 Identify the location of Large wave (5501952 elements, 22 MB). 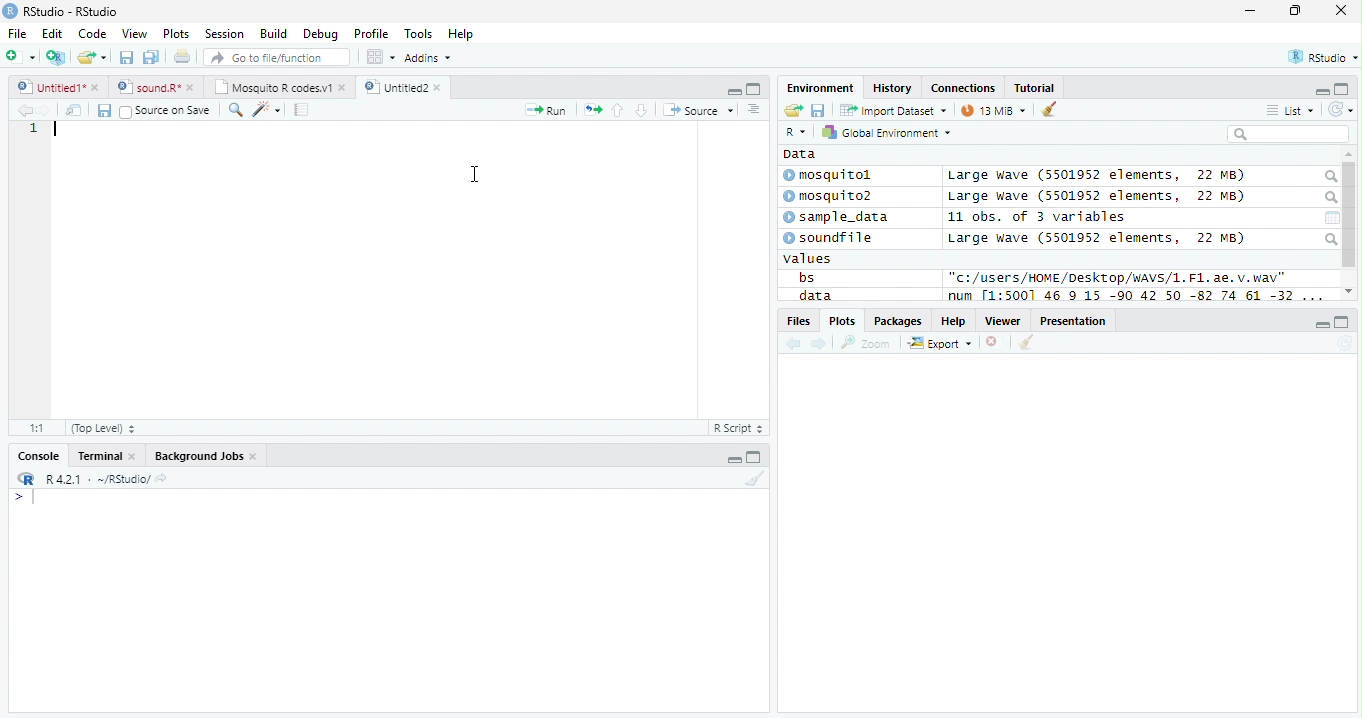
(1100, 197).